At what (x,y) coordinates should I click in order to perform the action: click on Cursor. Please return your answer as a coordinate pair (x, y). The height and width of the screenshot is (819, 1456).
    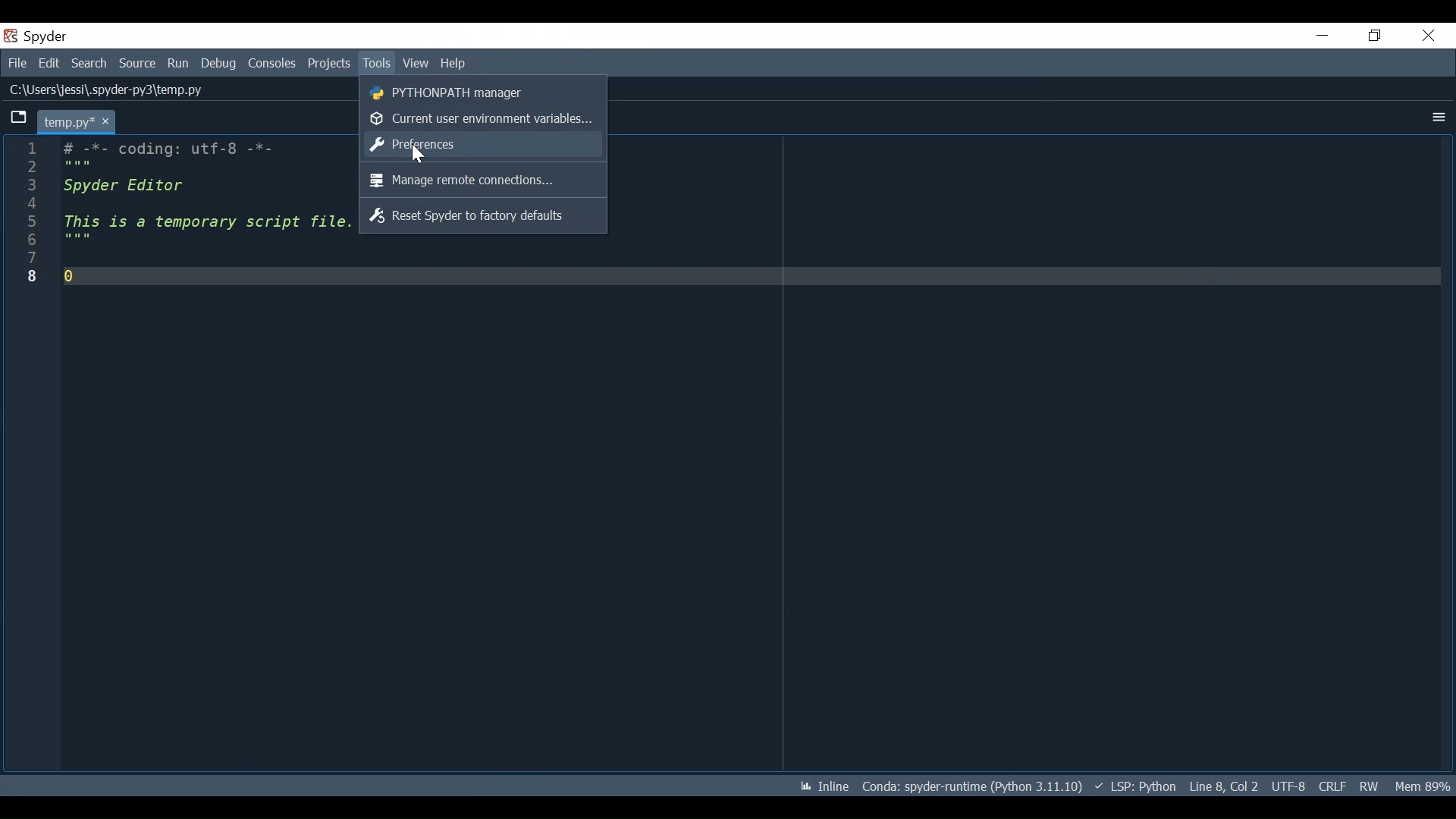
    Looking at the image, I should click on (419, 155).